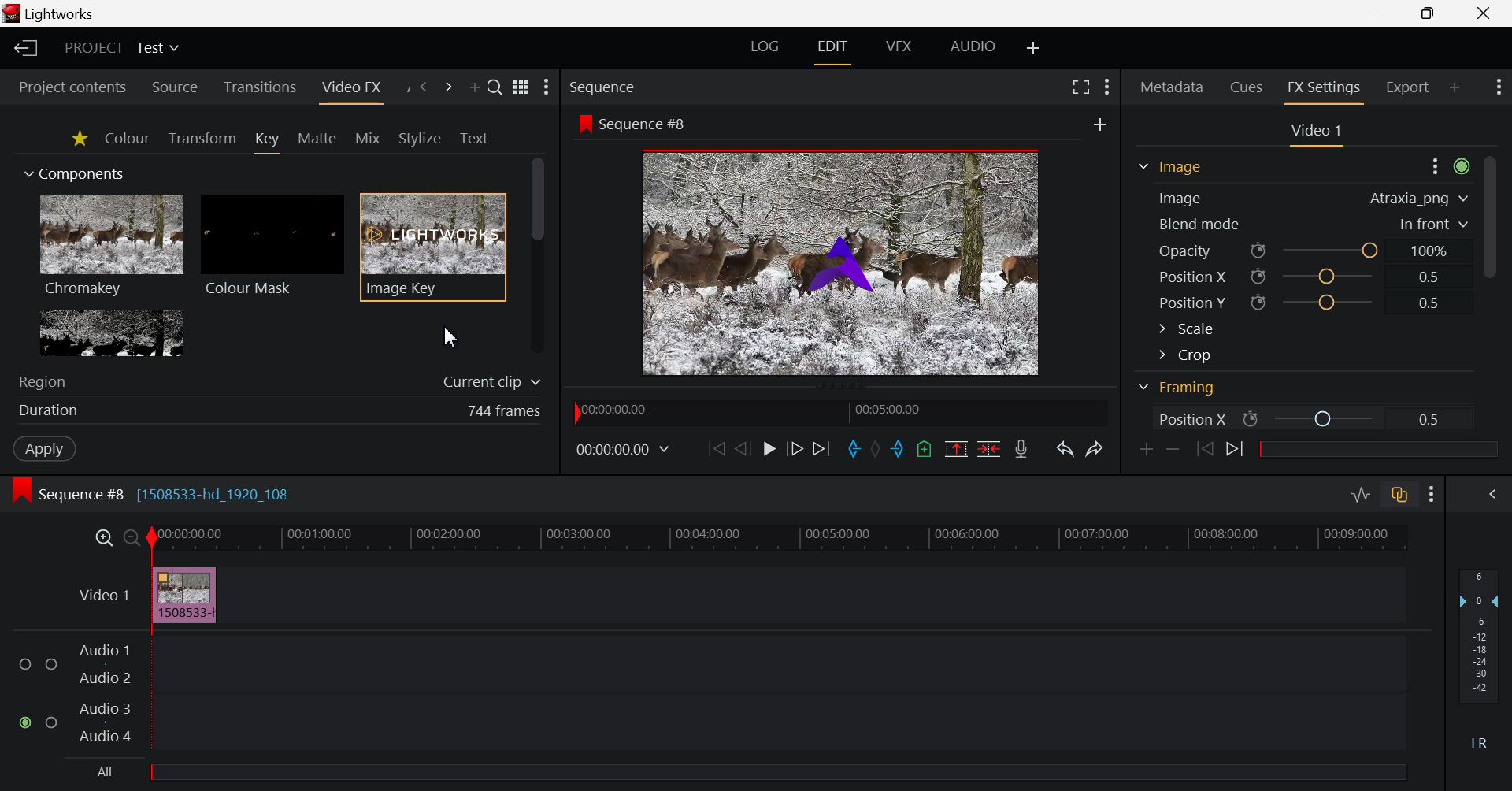 The width and height of the screenshot is (1512, 791). Describe the element at coordinates (743, 448) in the screenshot. I see `Go Back` at that location.